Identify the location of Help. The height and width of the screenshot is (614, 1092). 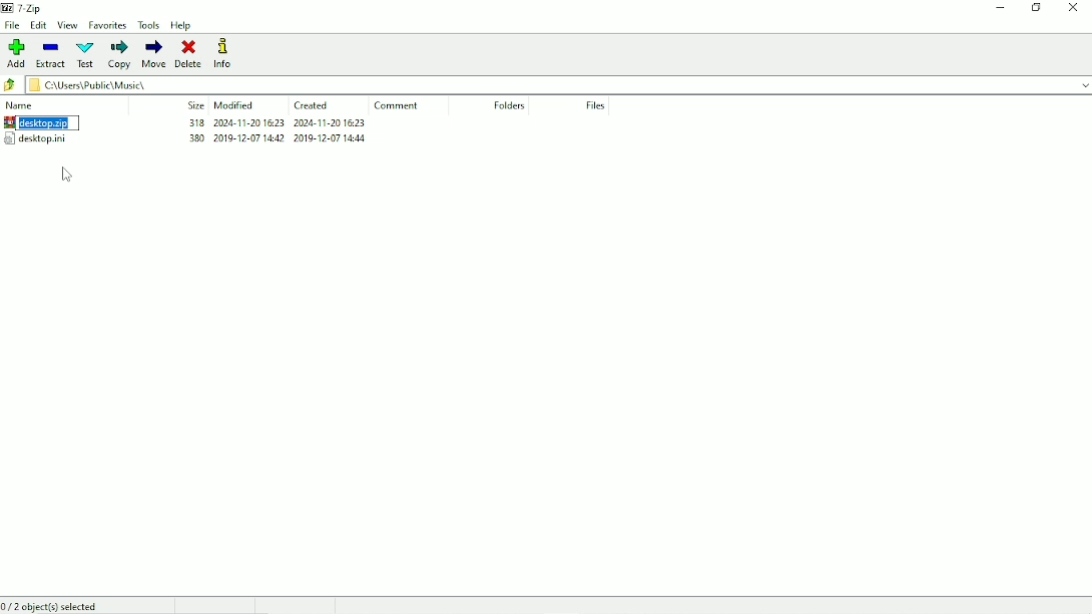
(182, 26).